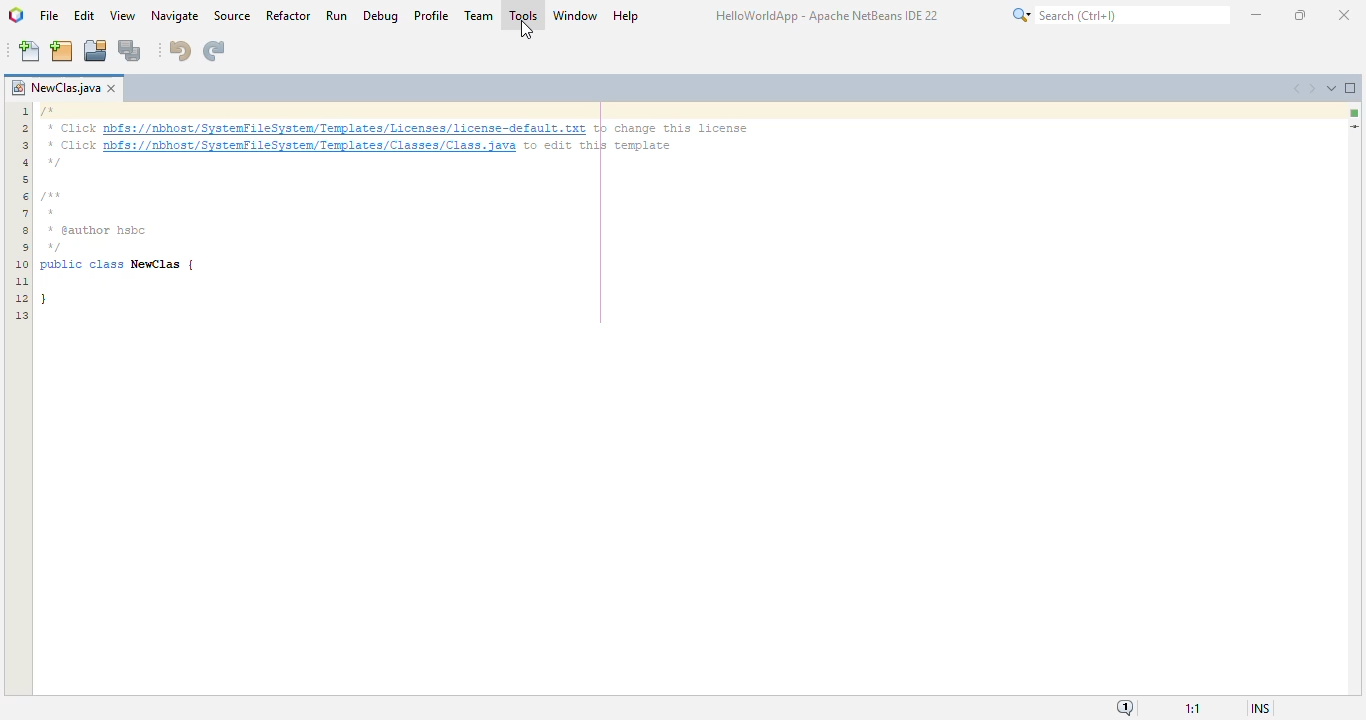 This screenshot has height=720, width=1366. Describe the element at coordinates (1301, 14) in the screenshot. I see `maximize` at that location.